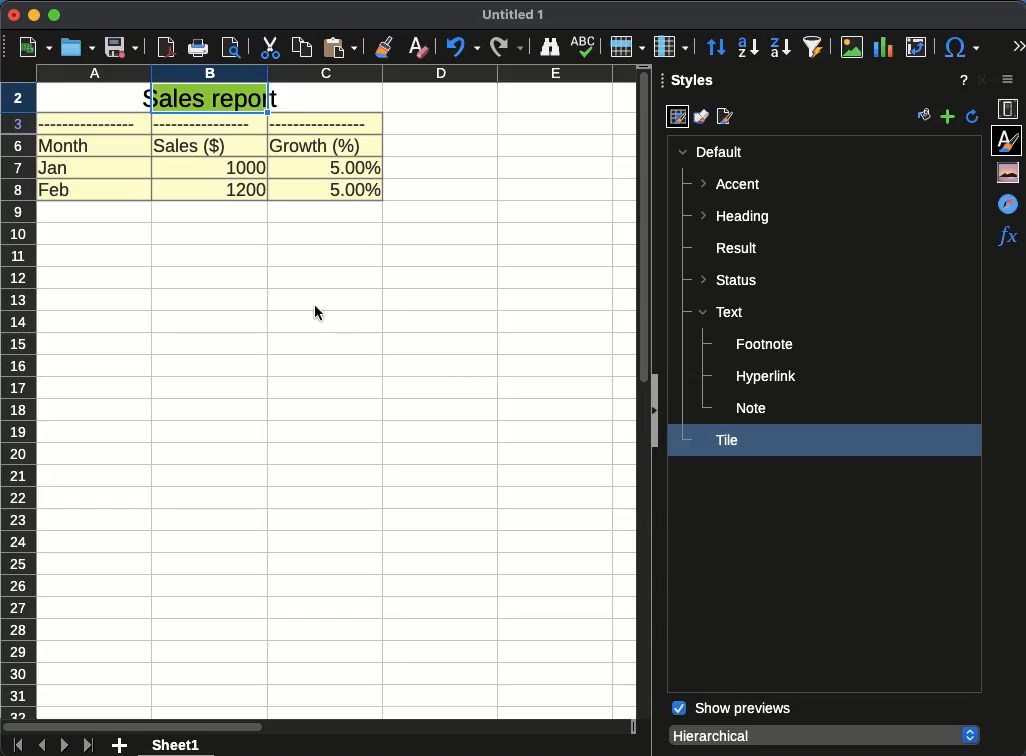 The width and height of the screenshot is (1026, 756). I want to click on 1200, so click(244, 192).